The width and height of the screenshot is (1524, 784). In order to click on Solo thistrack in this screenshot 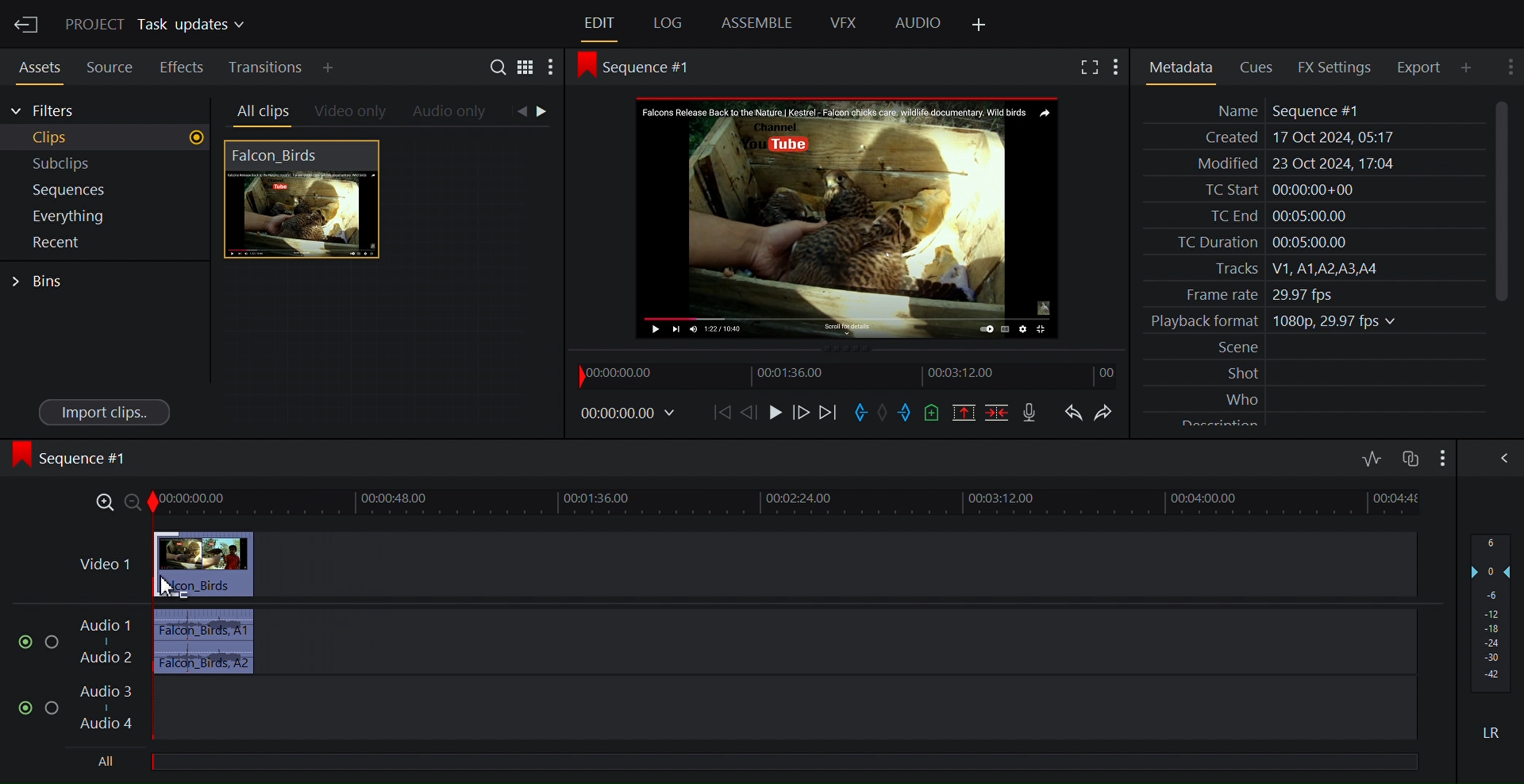, I will do `click(55, 644)`.